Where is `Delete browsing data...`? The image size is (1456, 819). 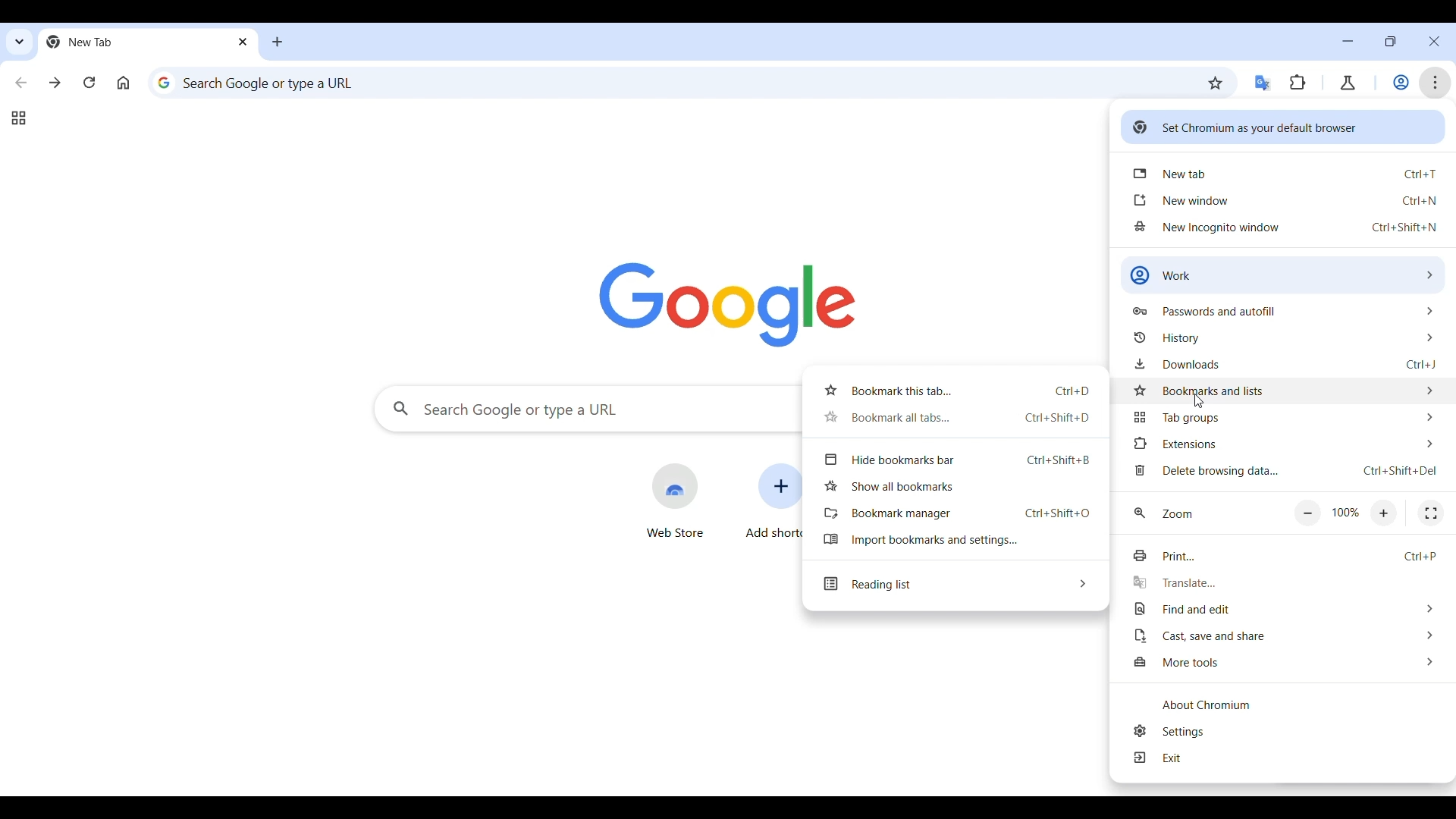
Delete browsing data... is located at coordinates (1284, 470).